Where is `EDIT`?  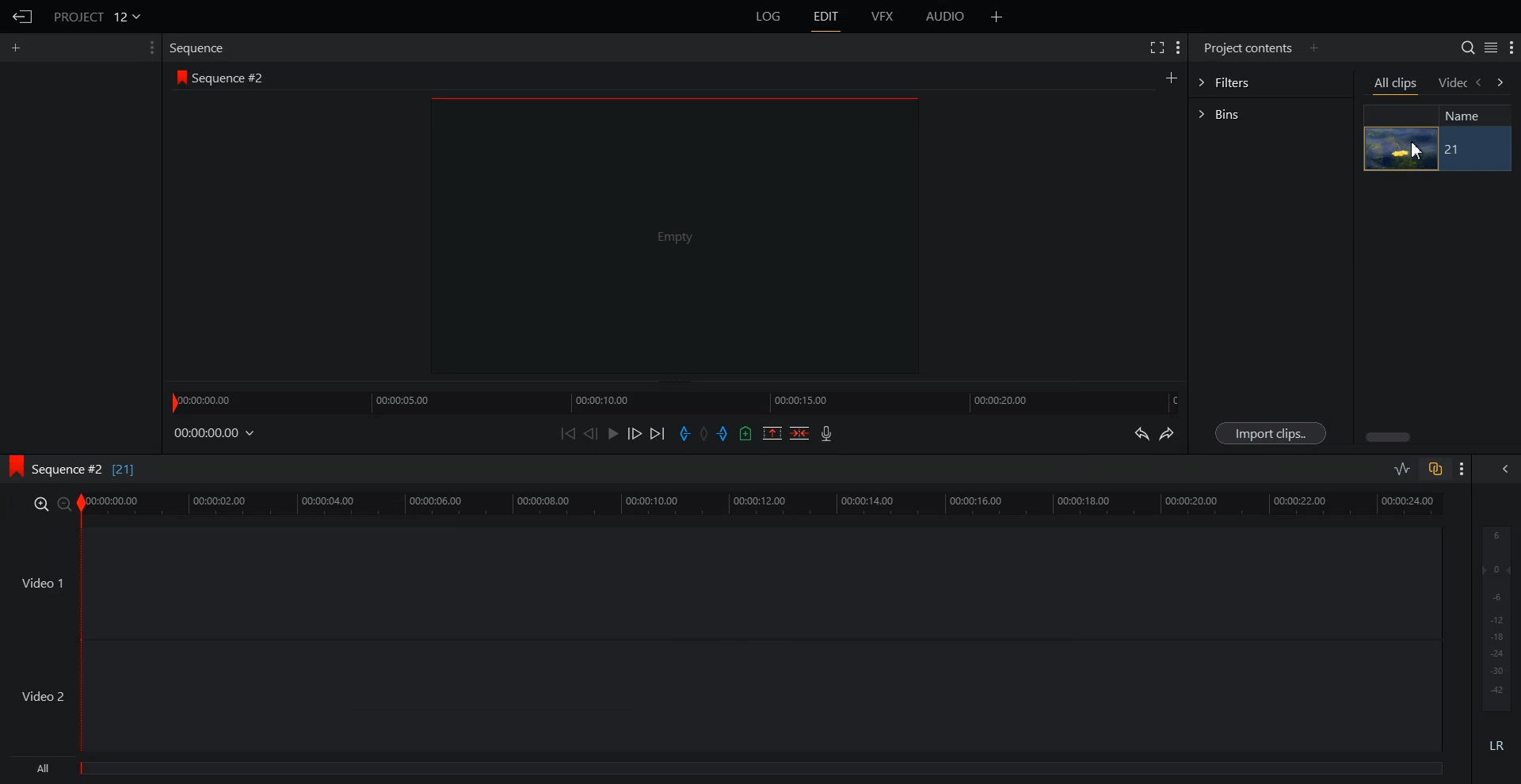
EDIT is located at coordinates (829, 17).